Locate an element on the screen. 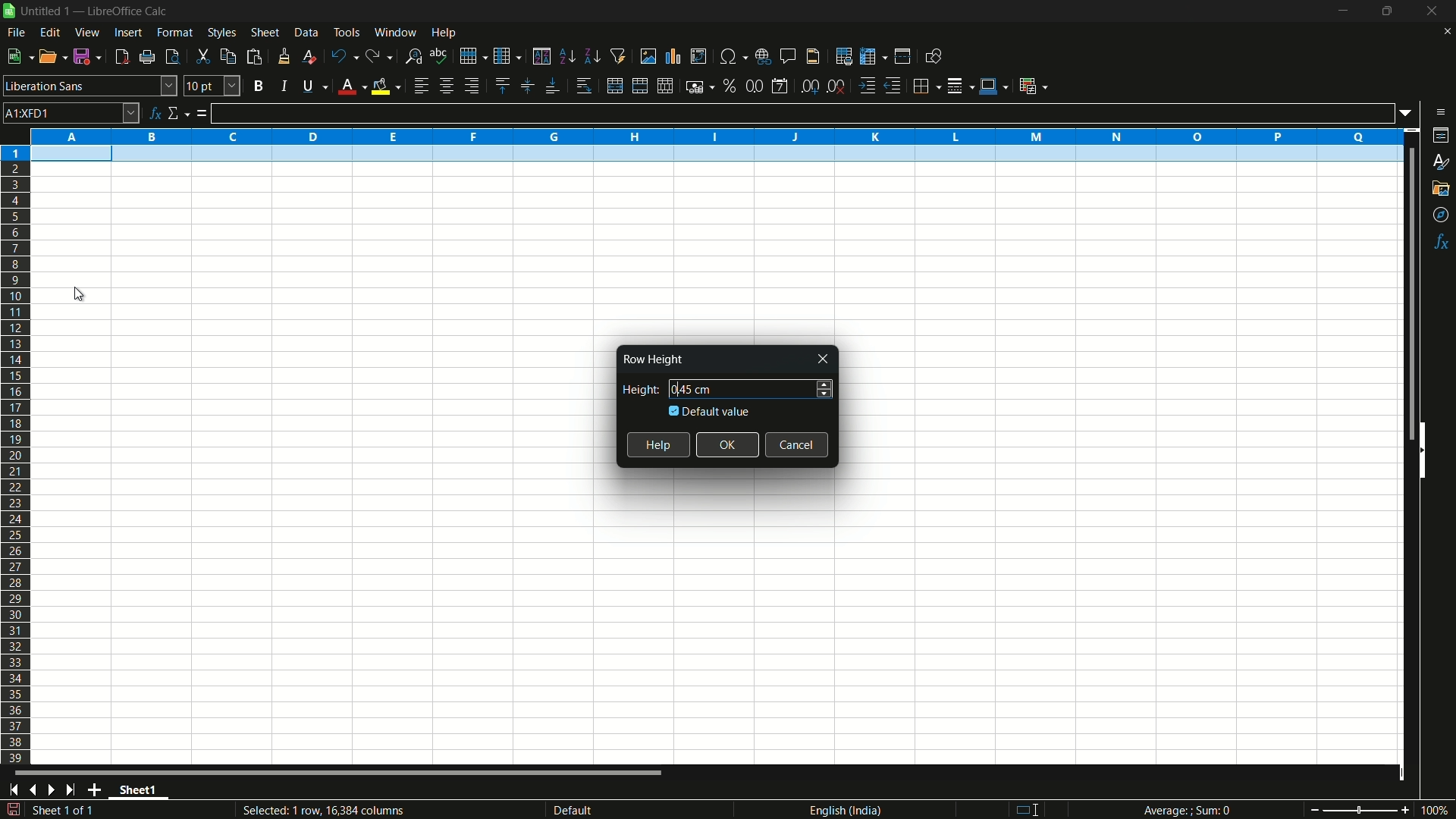 The height and width of the screenshot is (819, 1456). header and footer is located at coordinates (814, 57).